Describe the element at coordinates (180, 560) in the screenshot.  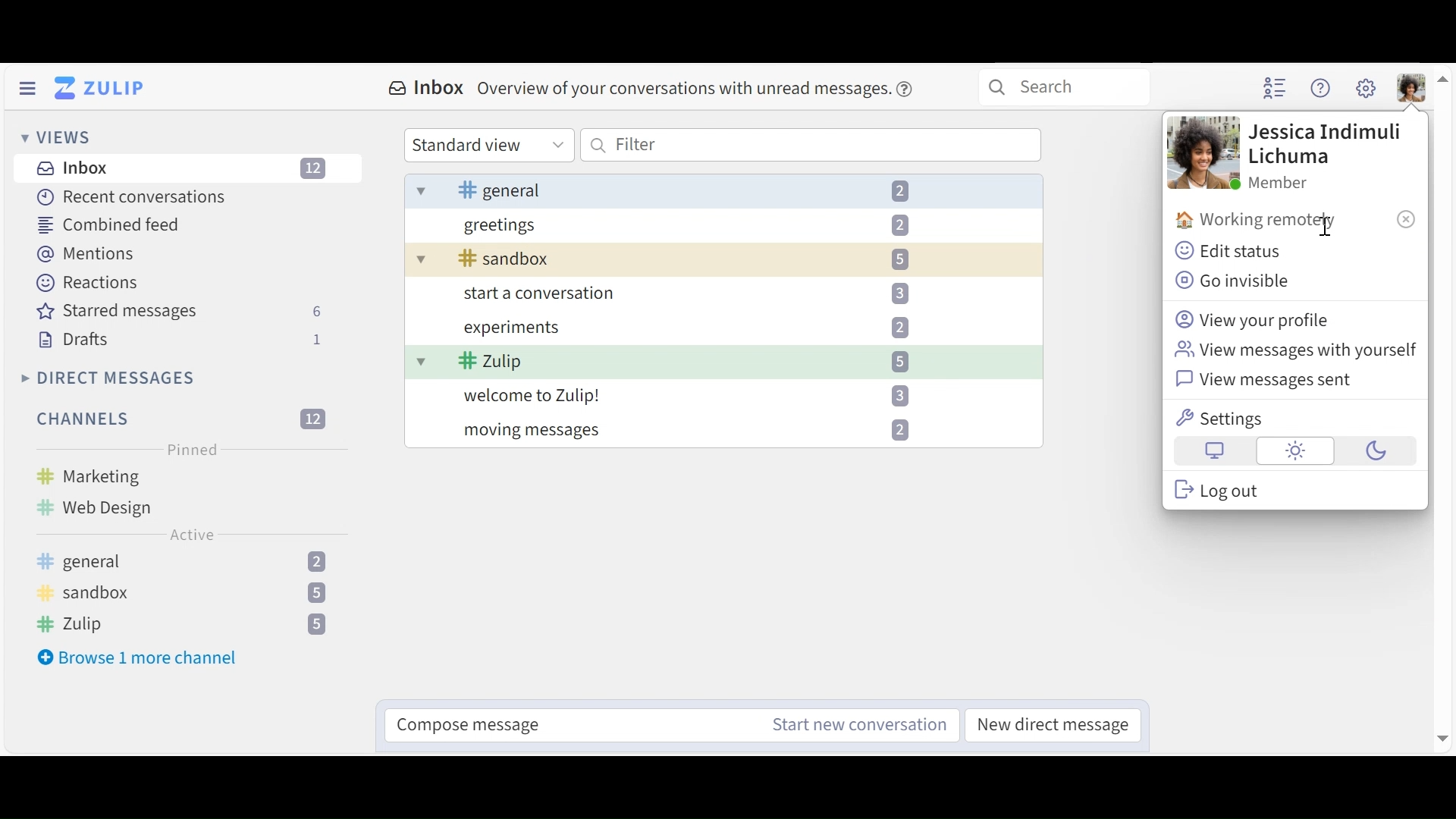
I see `general` at that location.